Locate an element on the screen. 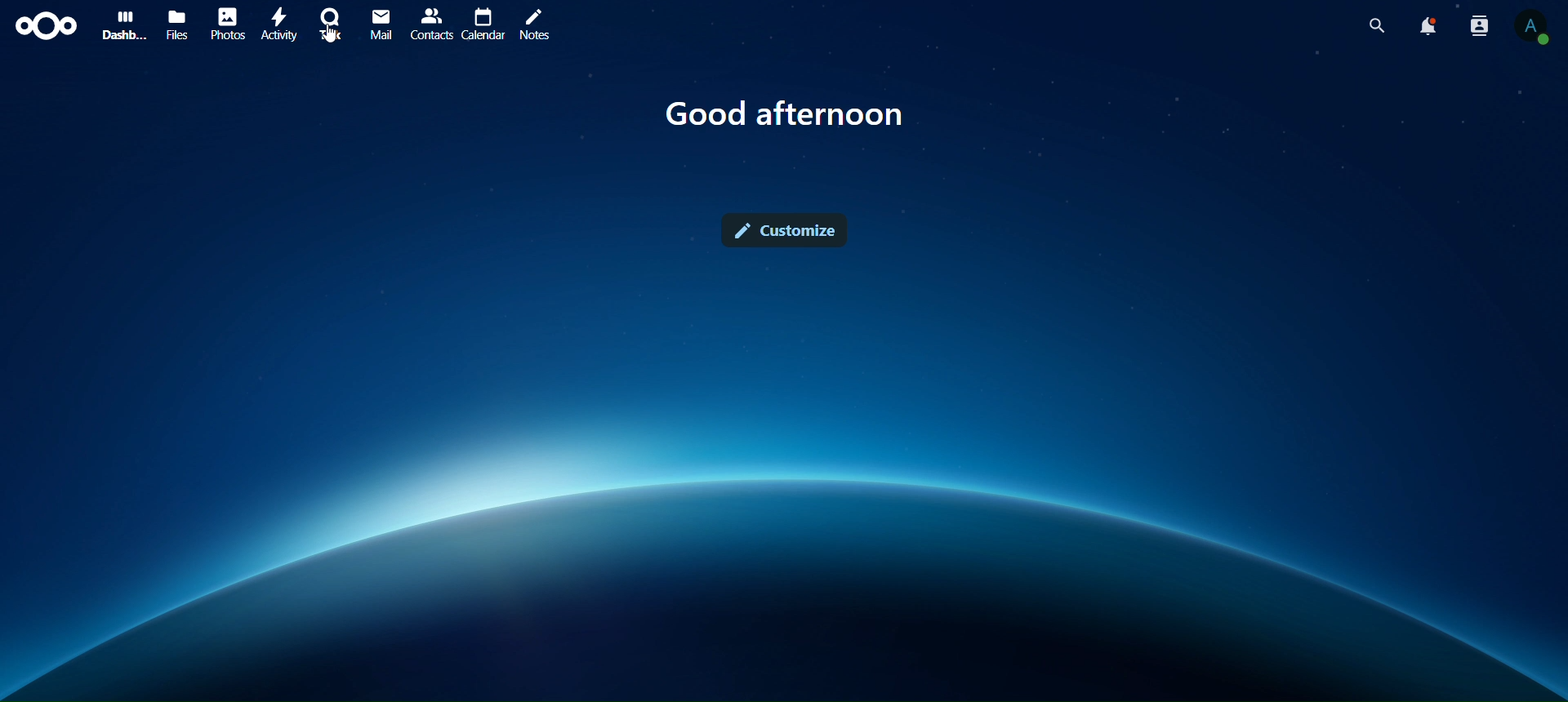 This screenshot has height=702, width=1568. contact is located at coordinates (334, 26).